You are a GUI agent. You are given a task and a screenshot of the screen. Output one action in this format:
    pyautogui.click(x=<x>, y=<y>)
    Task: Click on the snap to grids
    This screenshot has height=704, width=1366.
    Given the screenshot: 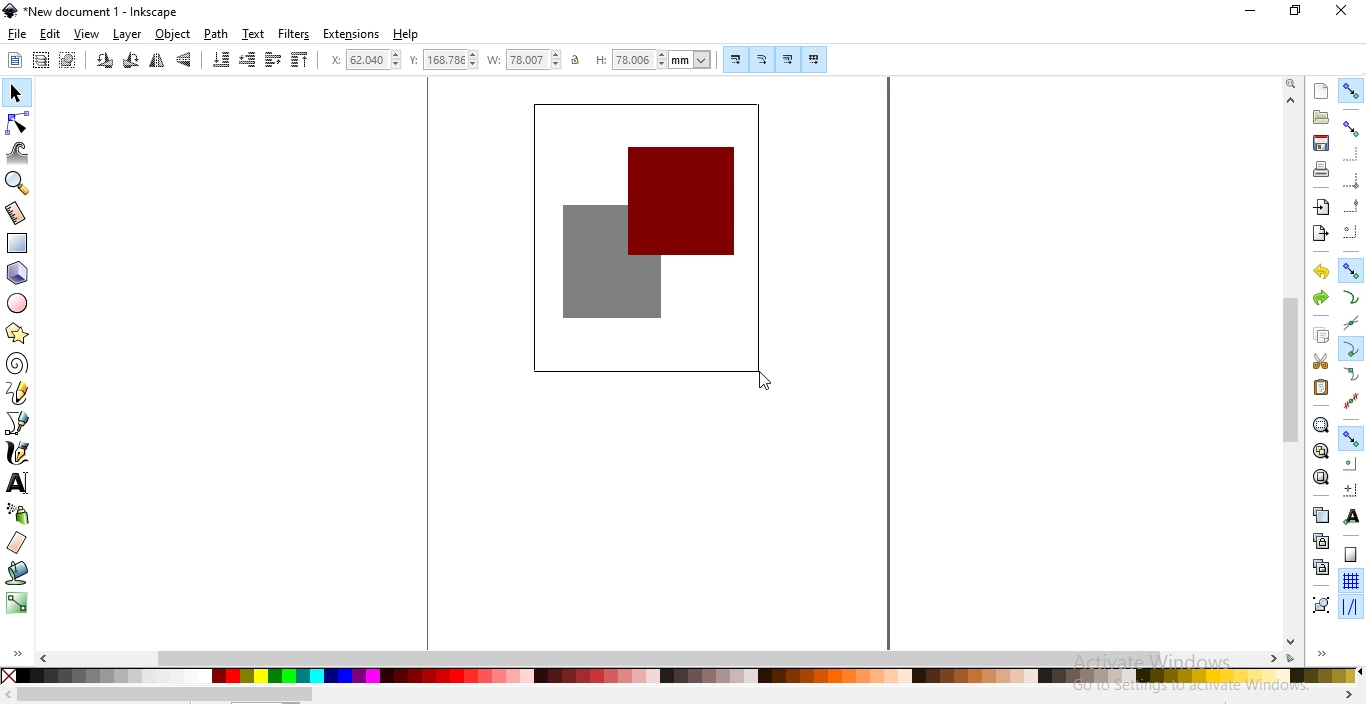 What is the action you would take?
    pyautogui.click(x=1350, y=582)
    